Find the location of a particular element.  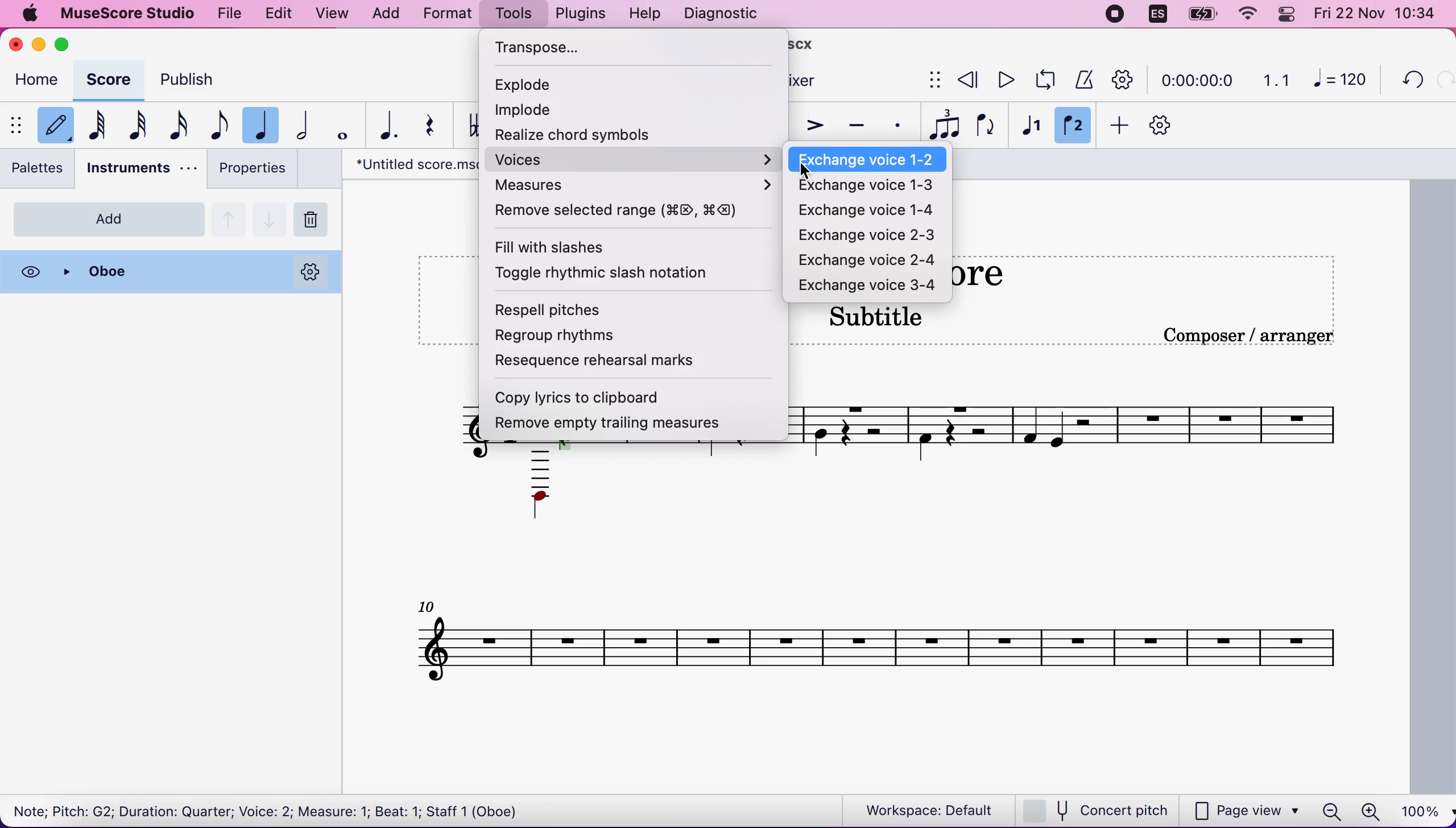

exchange voice 2-3 is located at coordinates (871, 236).